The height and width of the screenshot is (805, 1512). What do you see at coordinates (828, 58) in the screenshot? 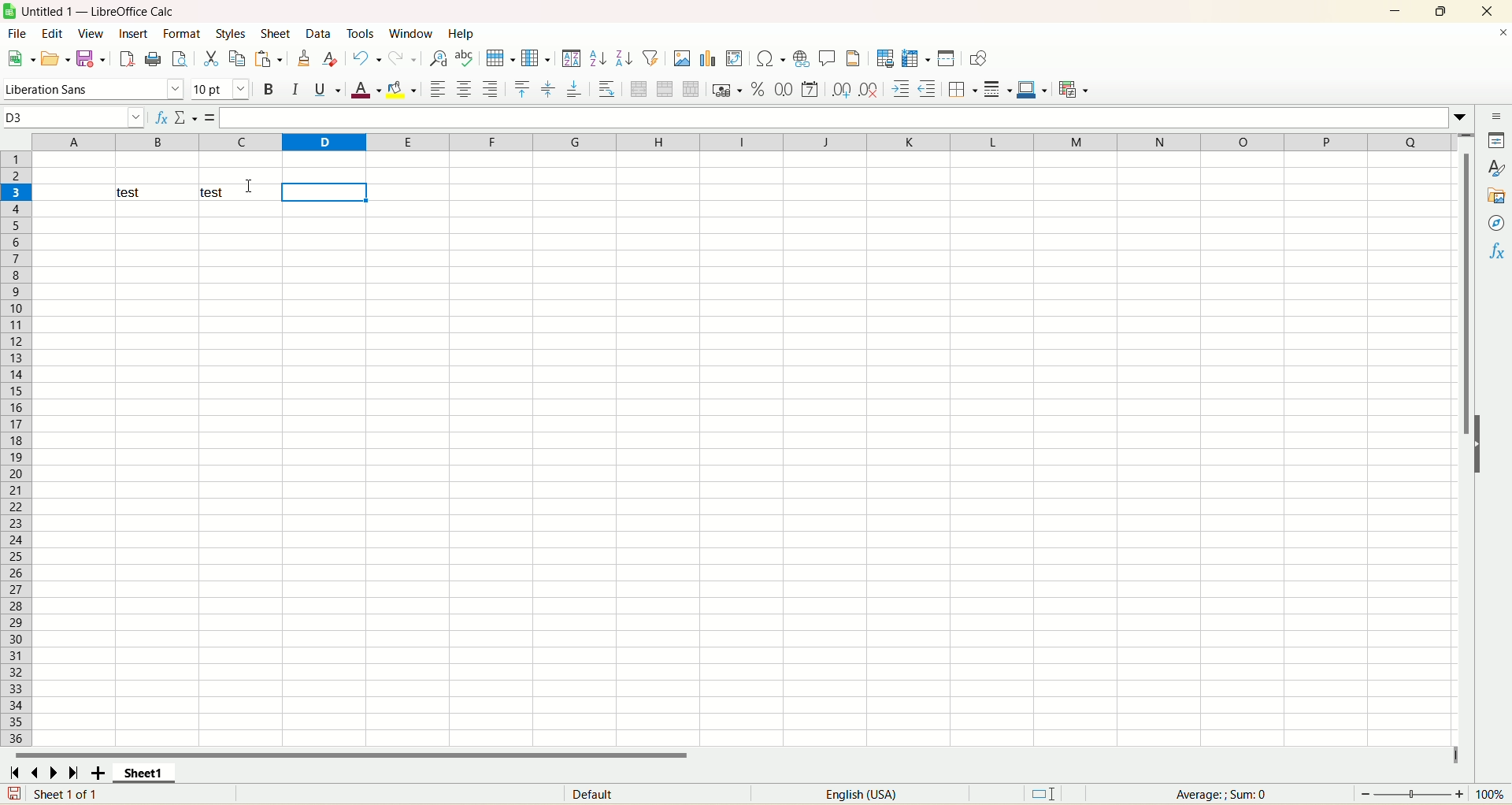
I see `insert comment` at bounding box center [828, 58].